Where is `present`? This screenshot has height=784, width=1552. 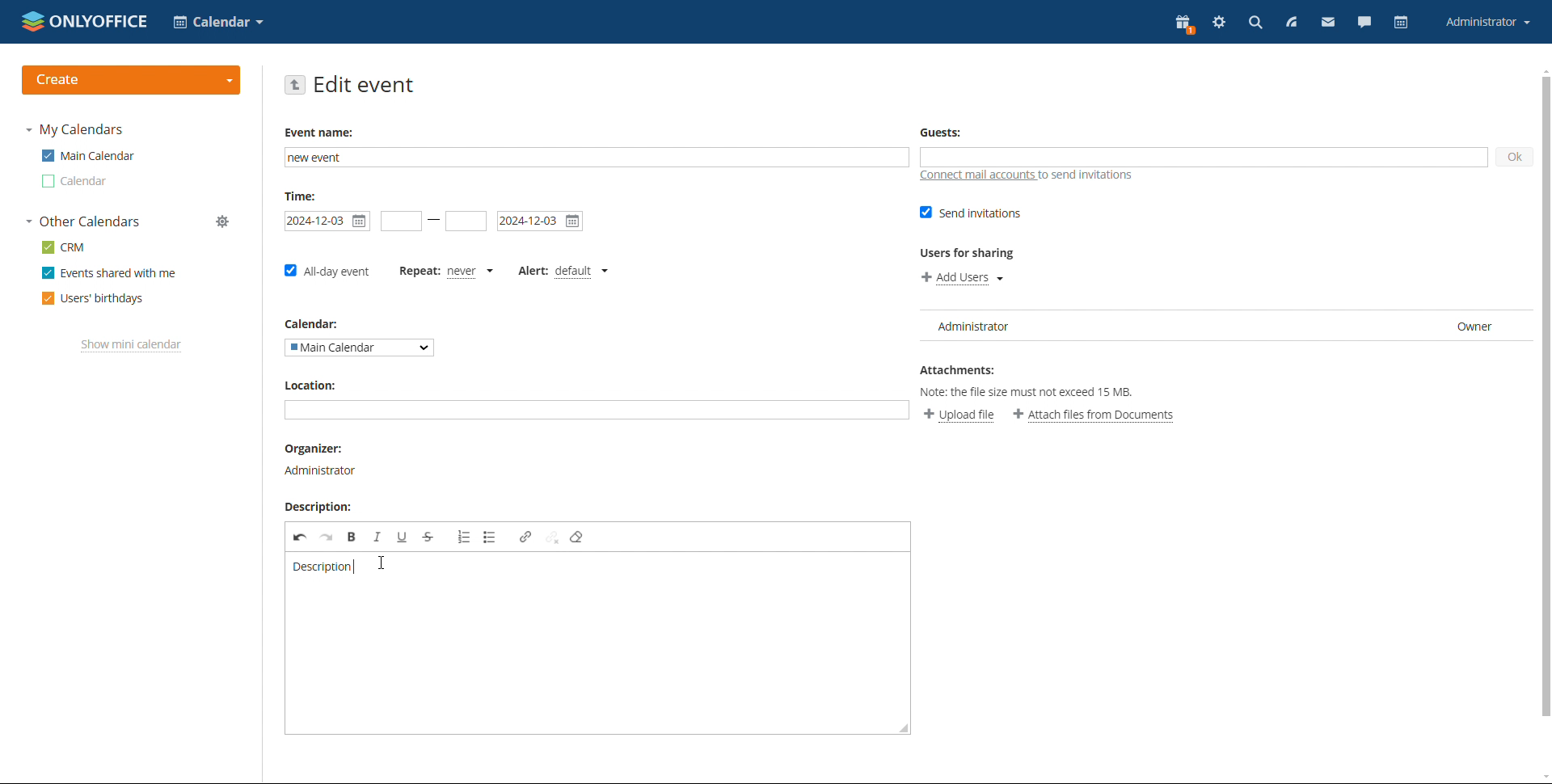 present is located at coordinates (1185, 24).